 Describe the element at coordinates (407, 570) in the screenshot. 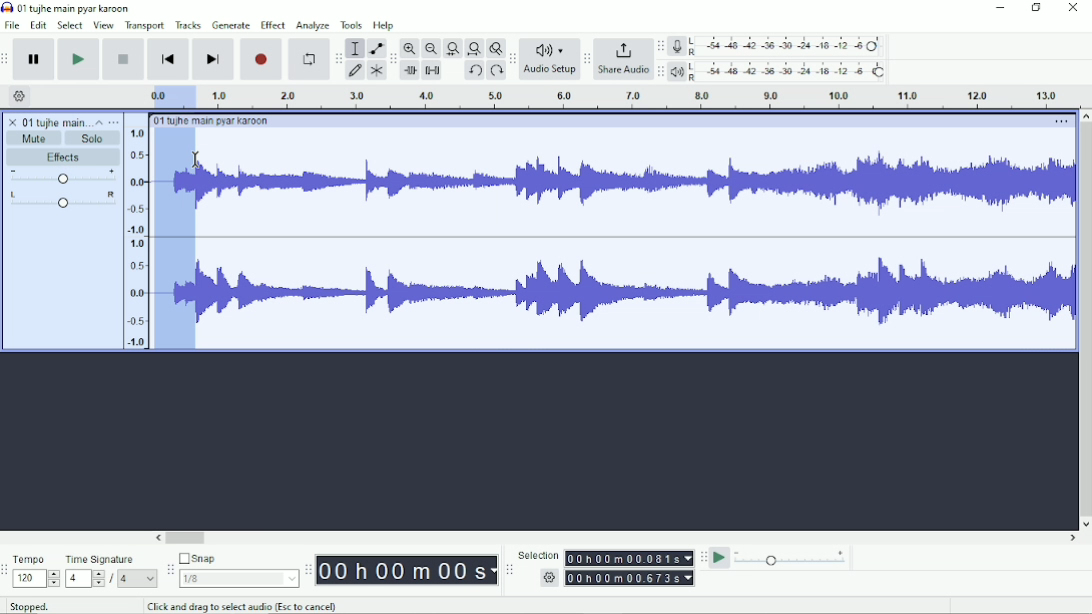

I see `00 h 00 m 00s` at that location.